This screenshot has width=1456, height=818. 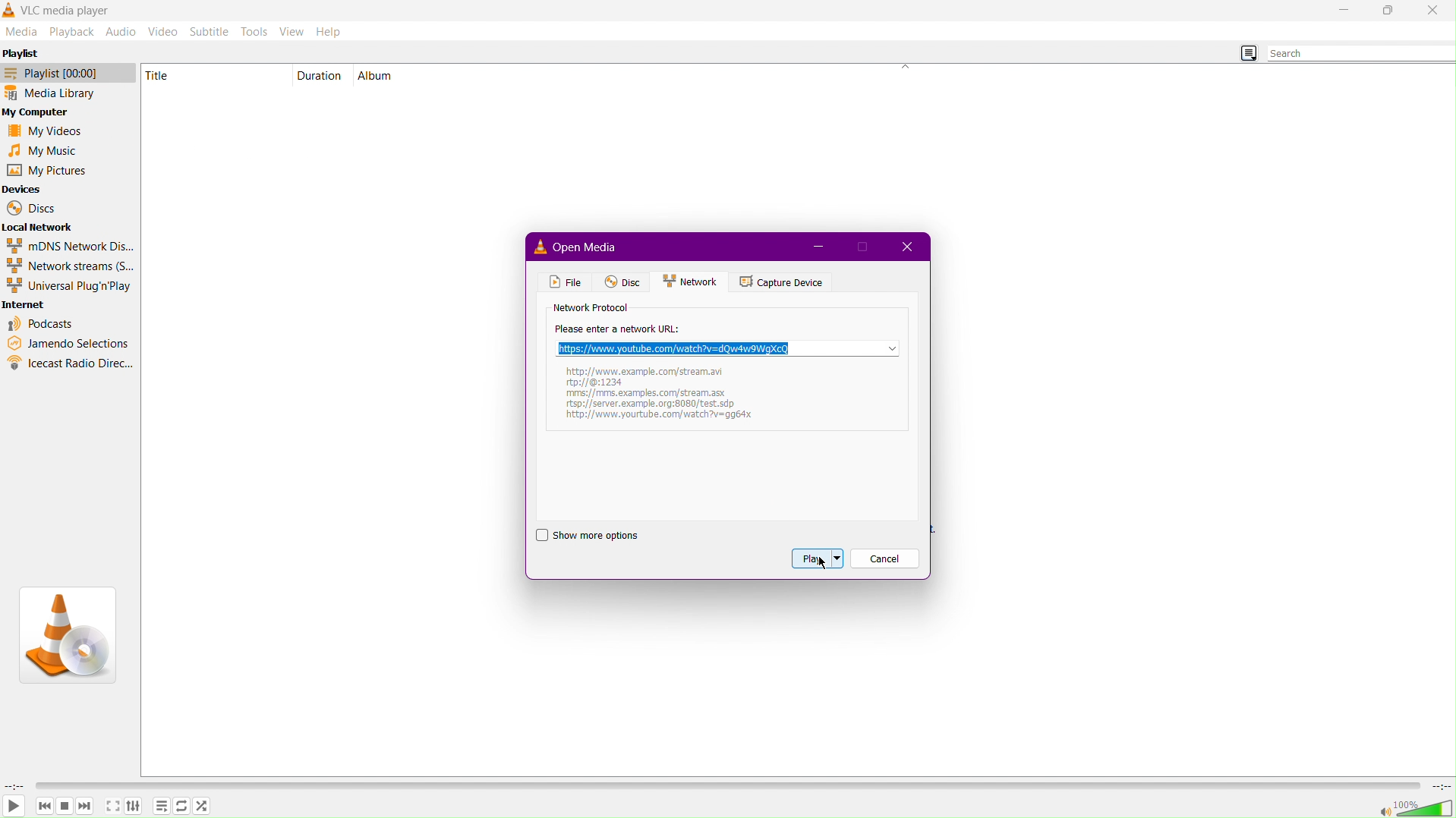 What do you see at coordinates (14, 786) in the screenshot?
I see `Played time` at bounding box center [14, 786].